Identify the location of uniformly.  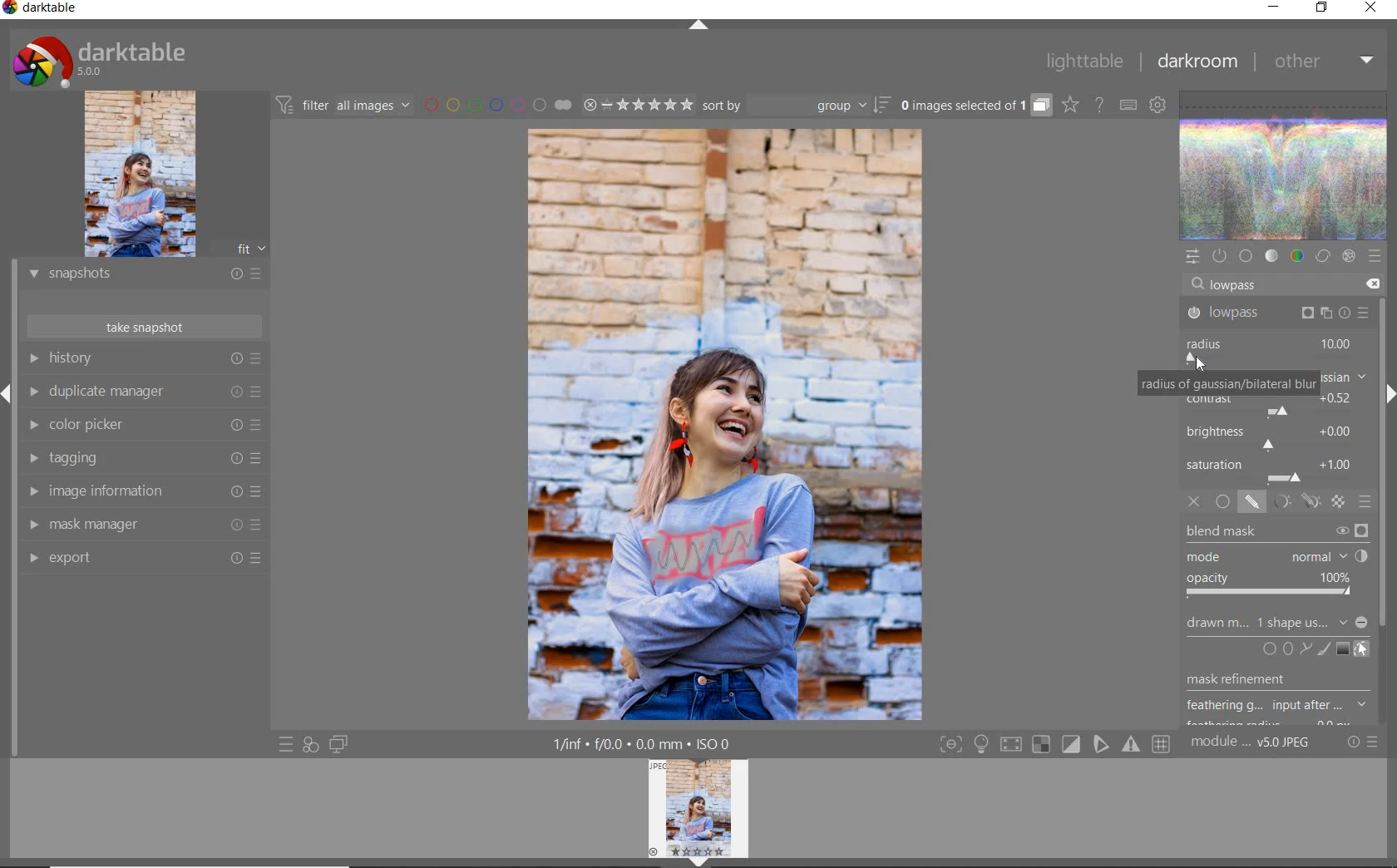
(1222, 502).